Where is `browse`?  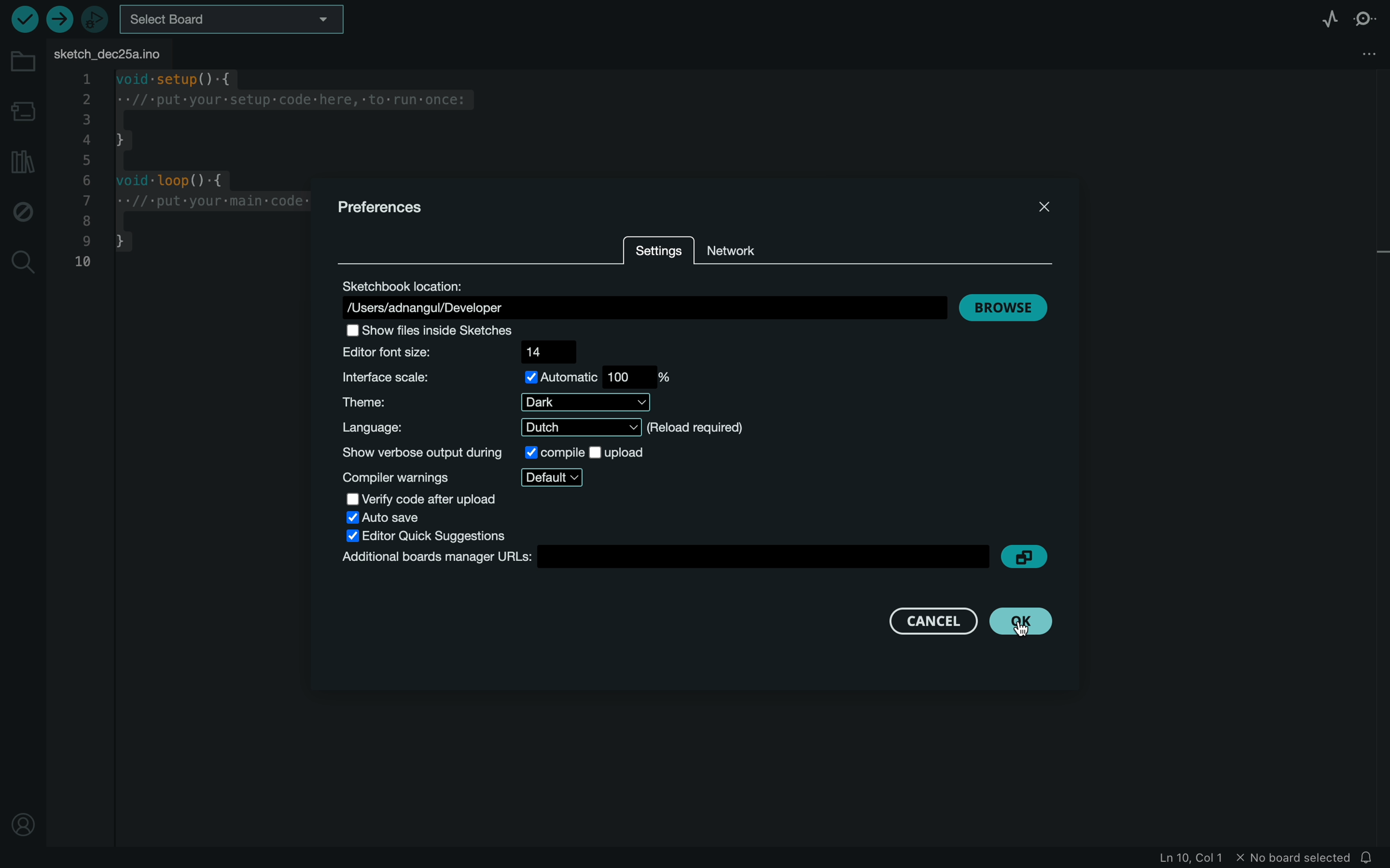
browse is located at coordinates (1003, 305).